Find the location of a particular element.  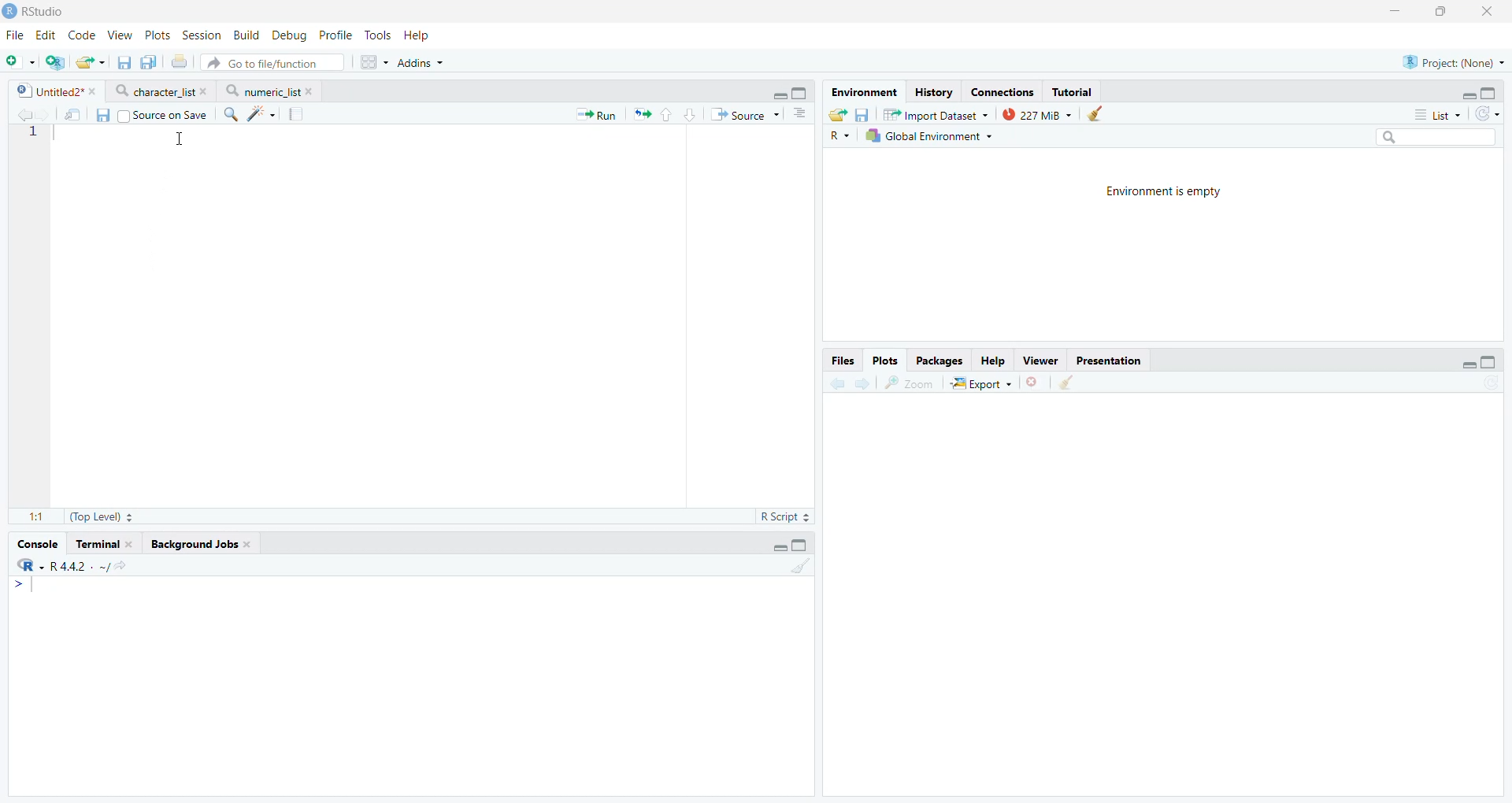

character list is located at coordinates (161, 91).